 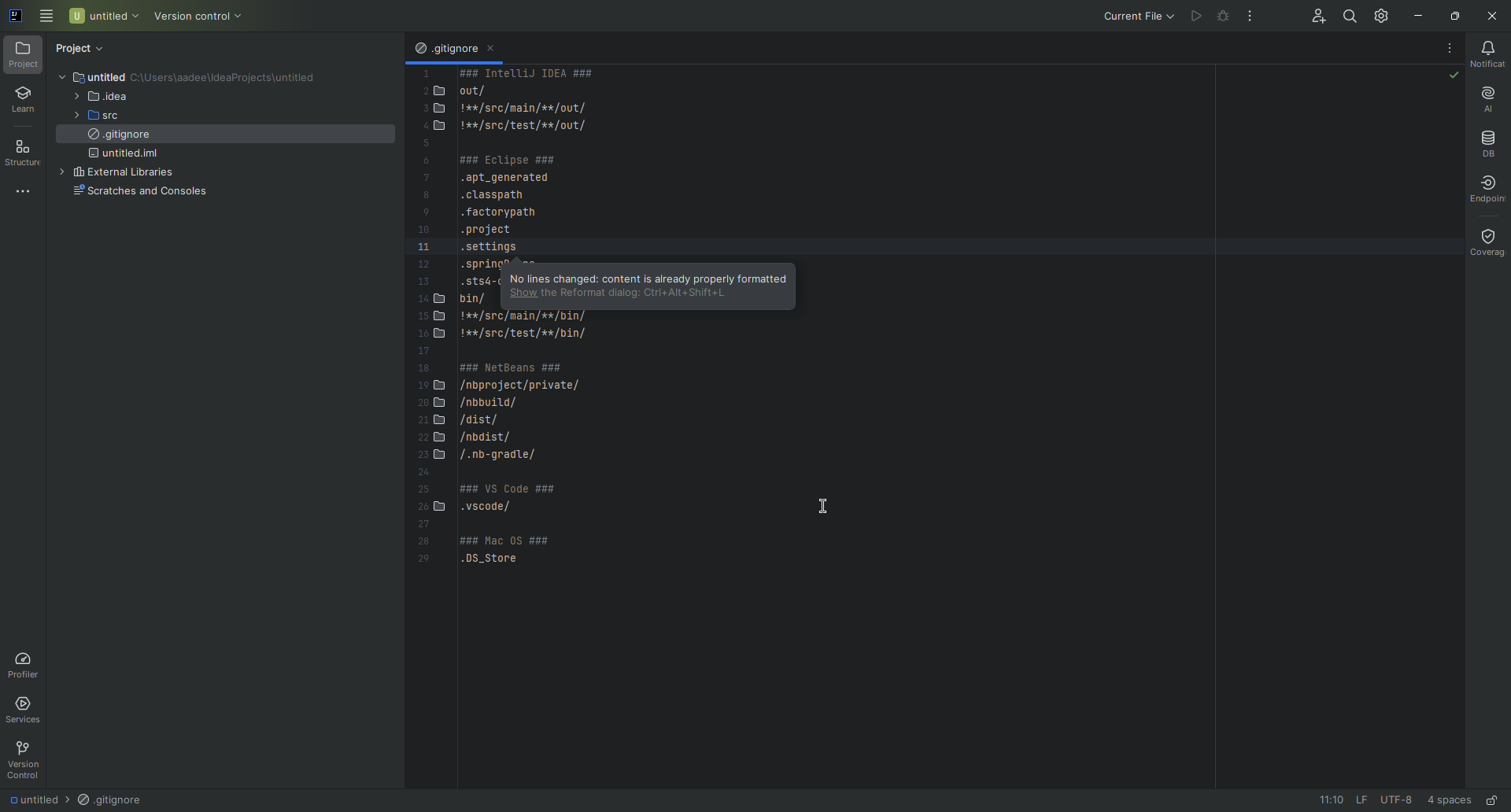 I want to click on src, so click(x=108, y=117).